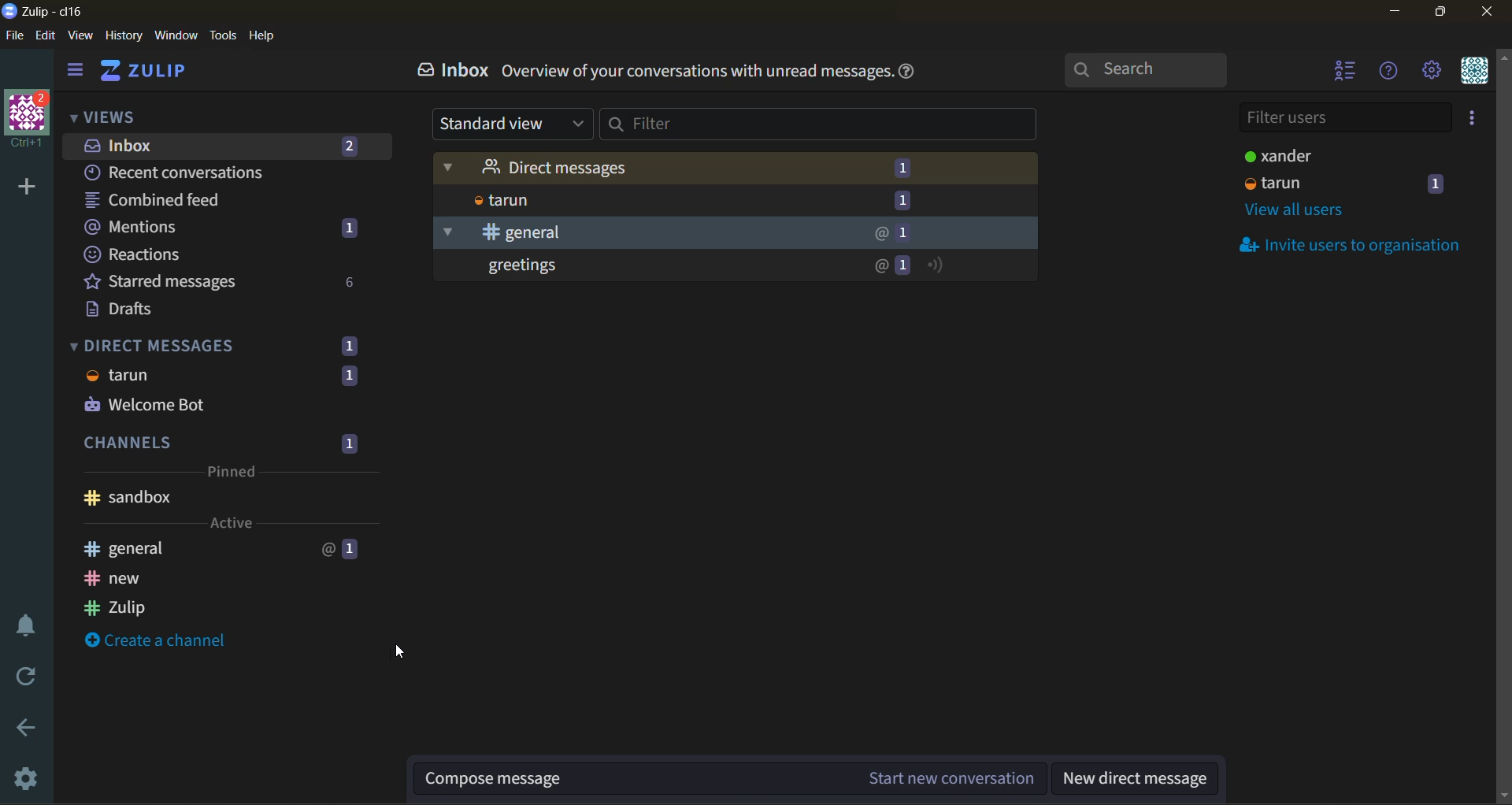 This screenshot has height=805, width=1512. Describe the element at coordinates (155, 640) in the screenshot. I see `create a channel` at that location.